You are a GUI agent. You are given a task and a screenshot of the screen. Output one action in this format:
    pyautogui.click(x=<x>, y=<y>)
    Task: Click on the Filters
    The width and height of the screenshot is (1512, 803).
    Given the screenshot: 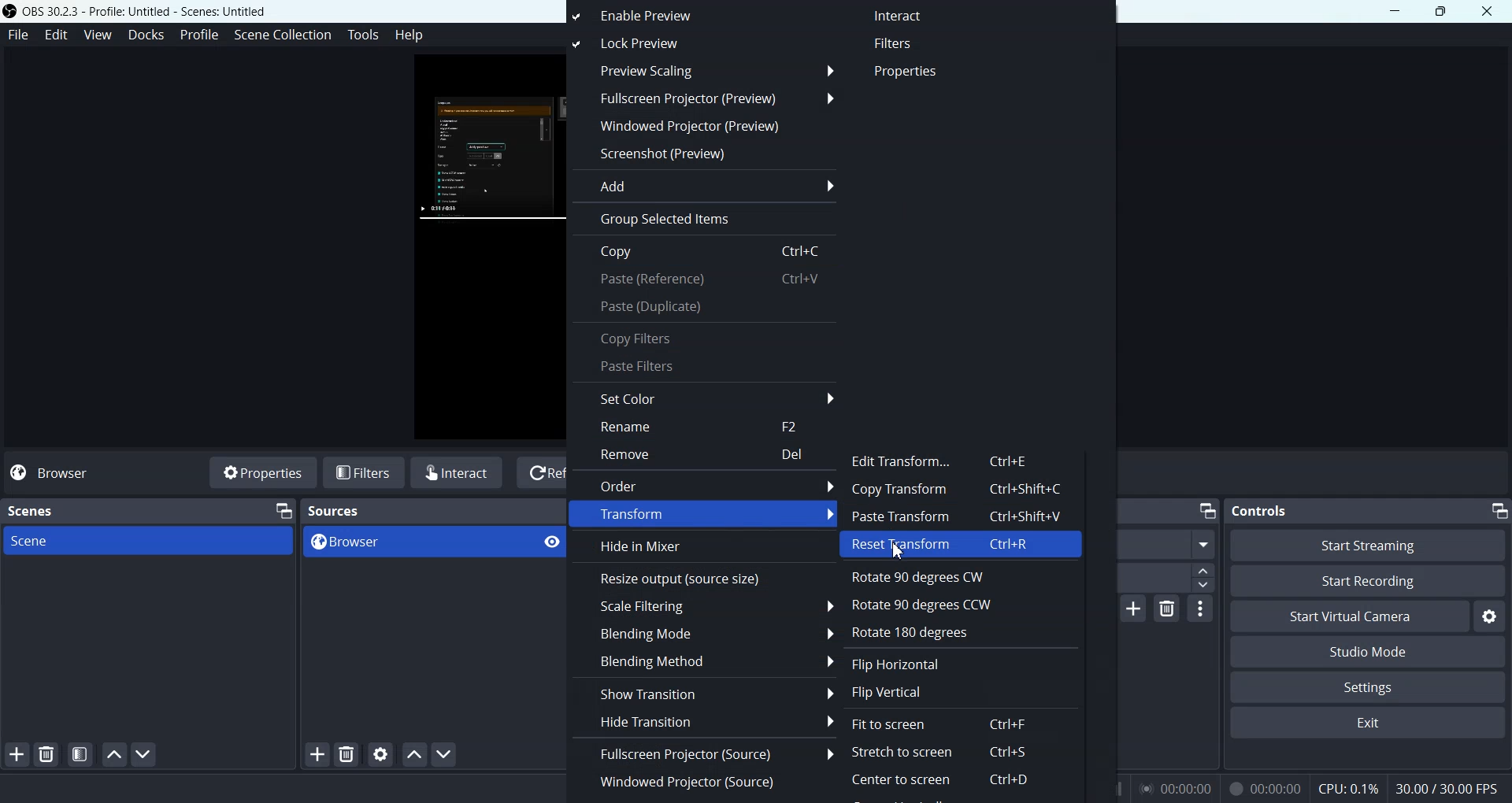 What is the action you would take?
    pyautogui.click(x=365, y=472)
    